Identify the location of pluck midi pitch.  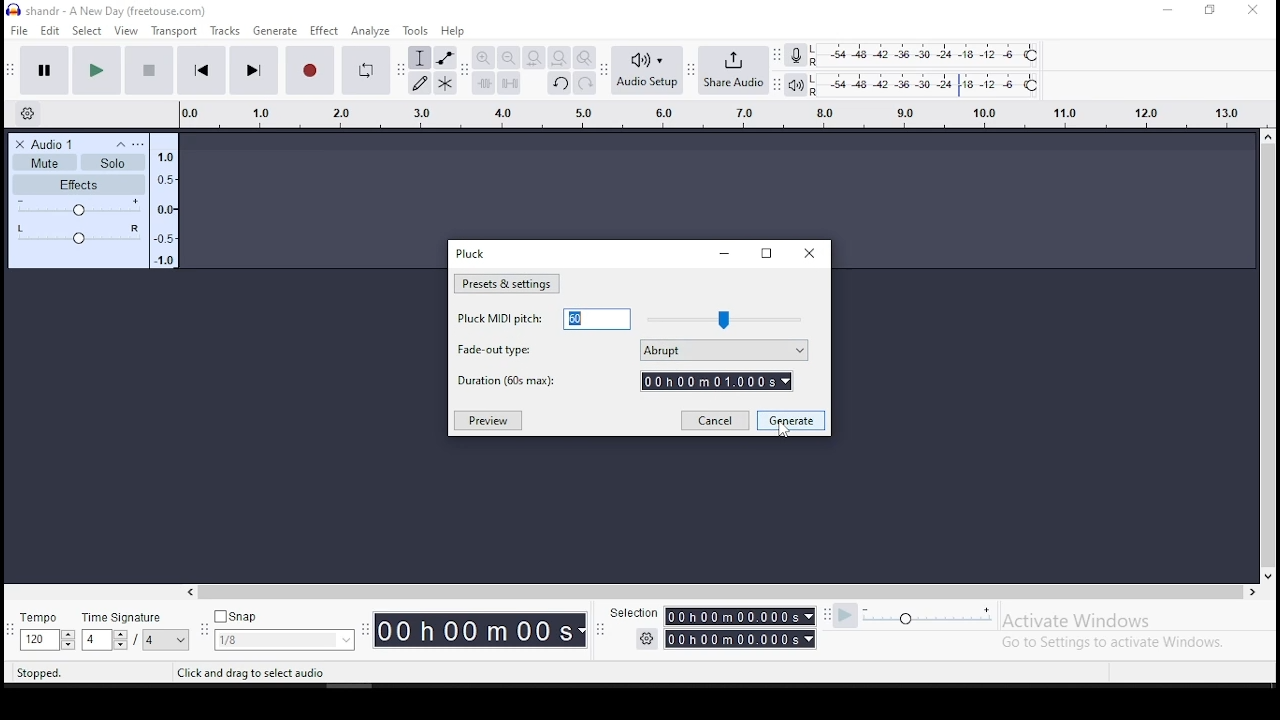
(543, 319).